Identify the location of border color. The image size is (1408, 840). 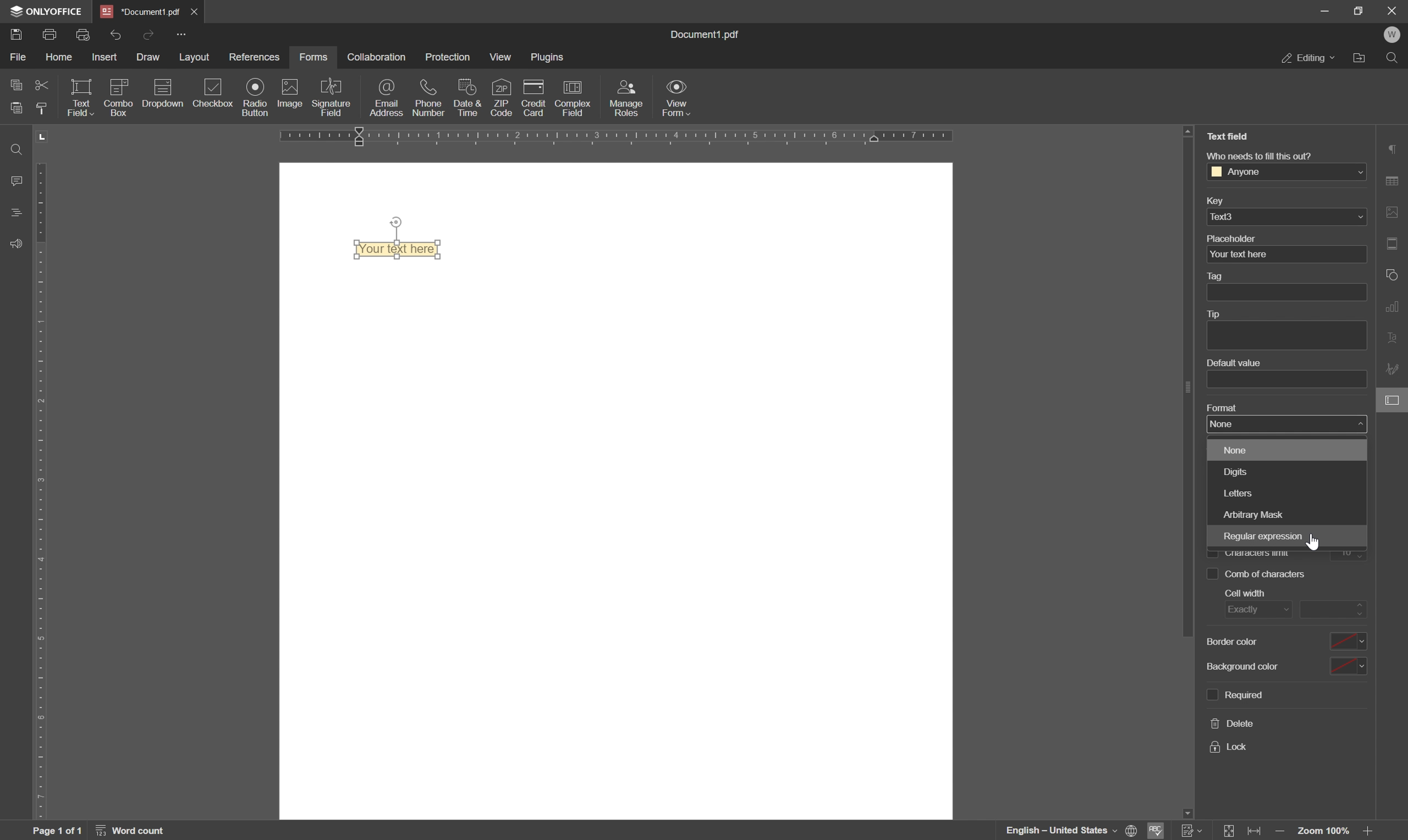
(1234, 641).